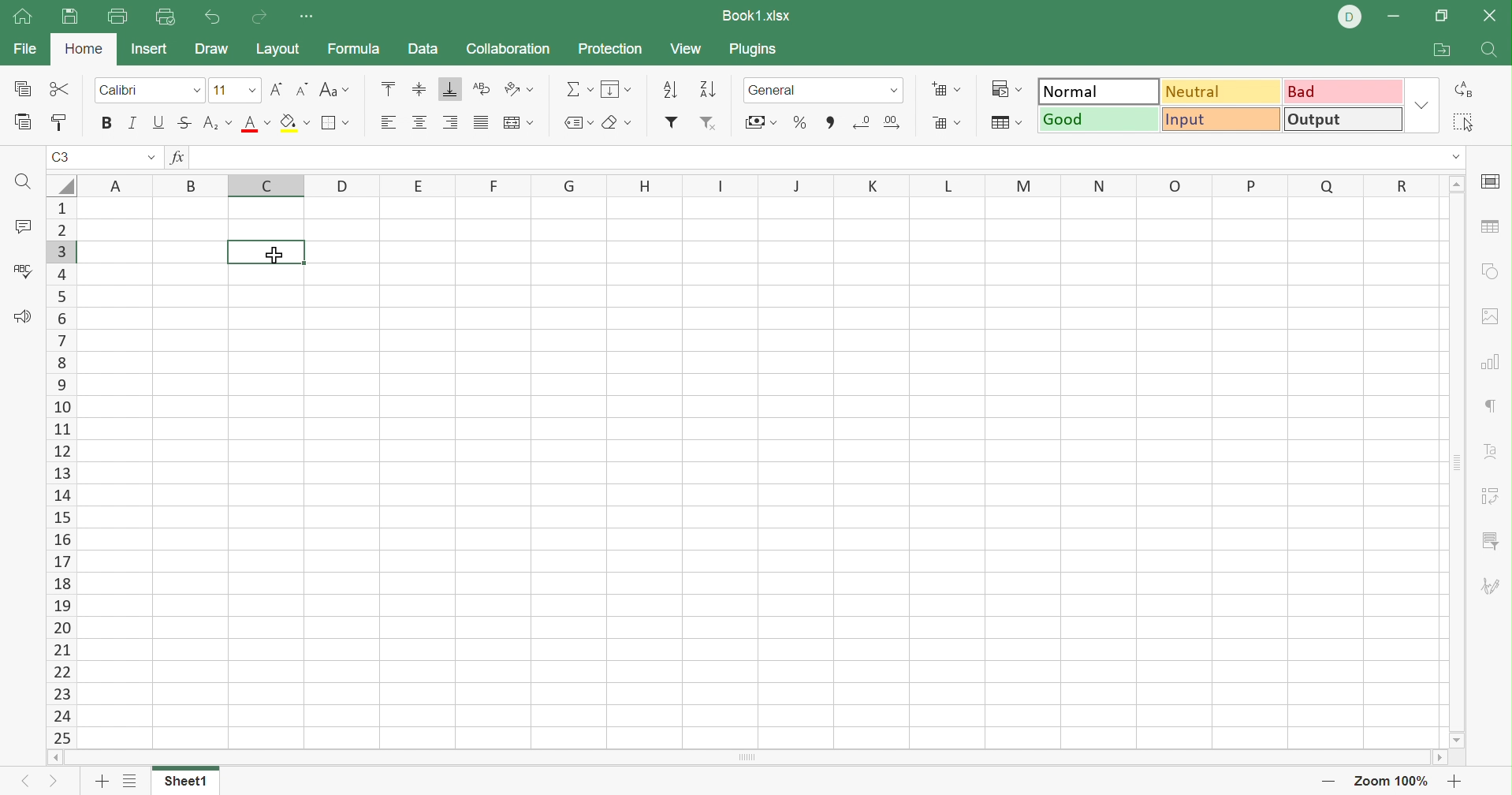 The width and height of the screenshot is (1512, 795). I want to click on Scroll Bar, so click(1458, 462).